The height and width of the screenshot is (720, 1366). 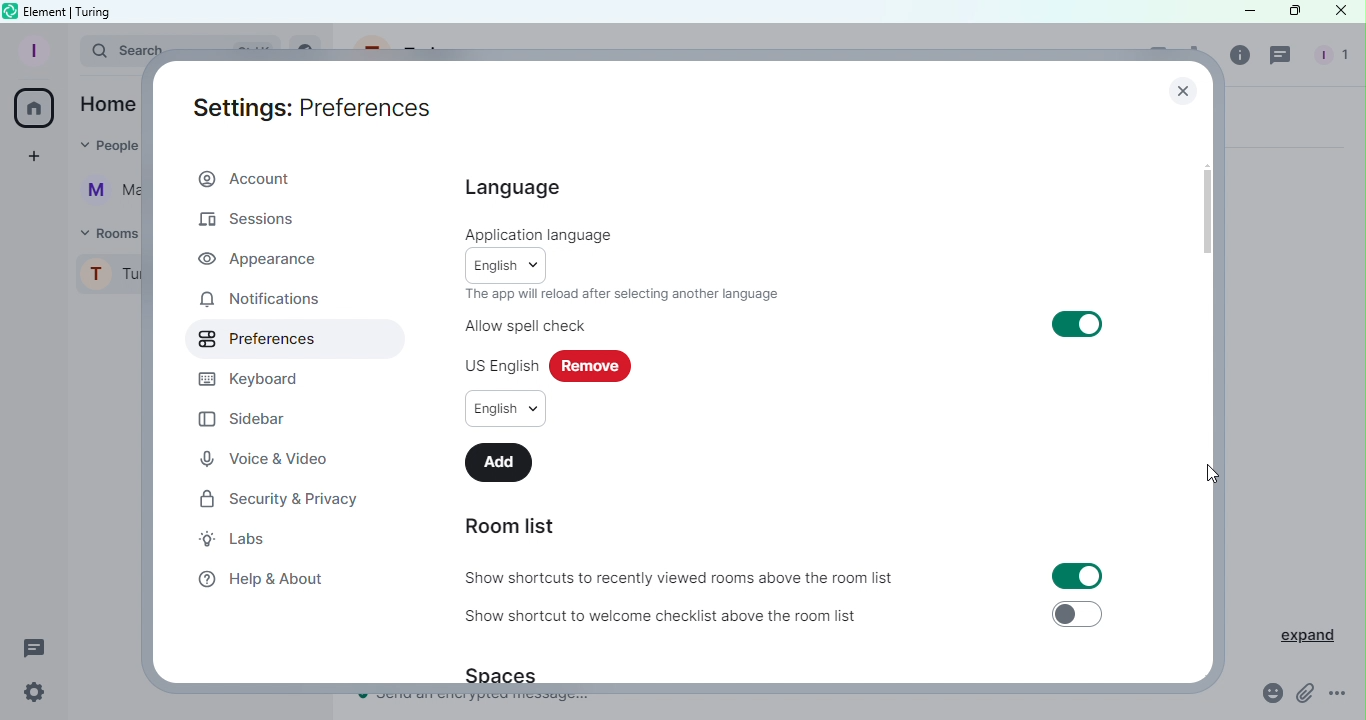 What do you see at coordinates (262, 580) in the screenshot?
I see `Help and about` at bounding box center [262, 580].